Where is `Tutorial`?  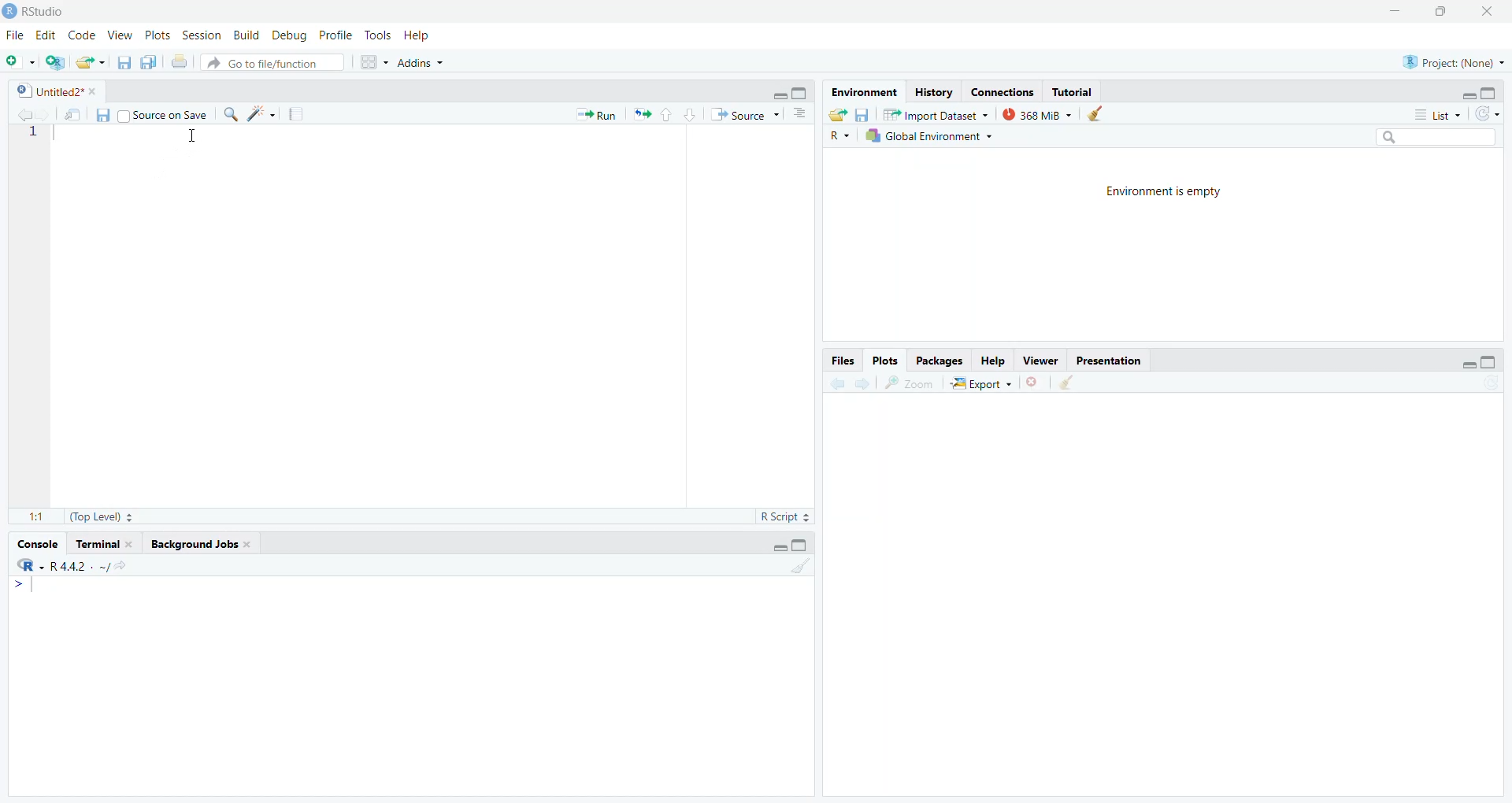 Tutorial is located at coordinates (1076, 91).